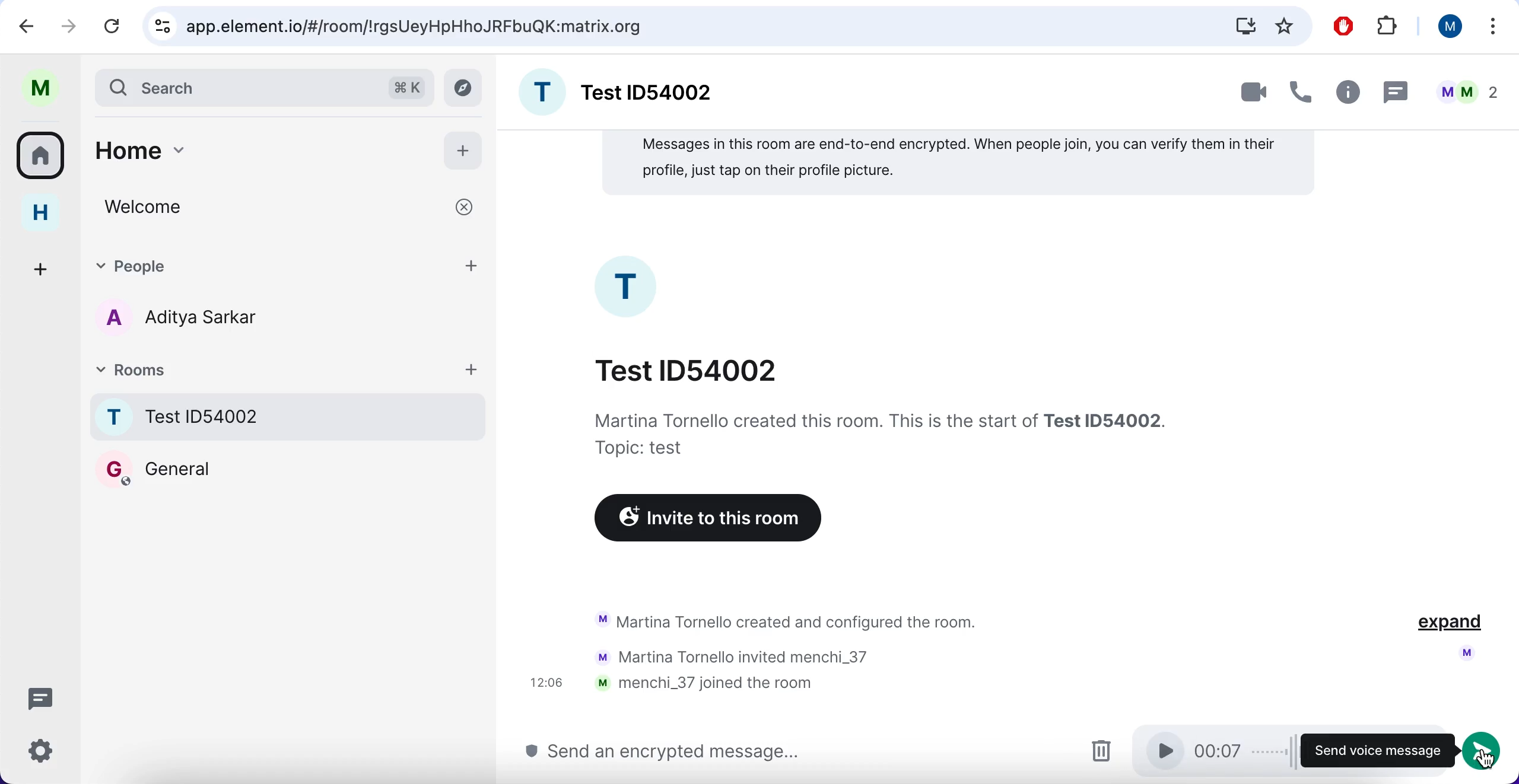 The height and width of the screenshot is (784, 1519). I want to click on welcome, so click(287, 208).